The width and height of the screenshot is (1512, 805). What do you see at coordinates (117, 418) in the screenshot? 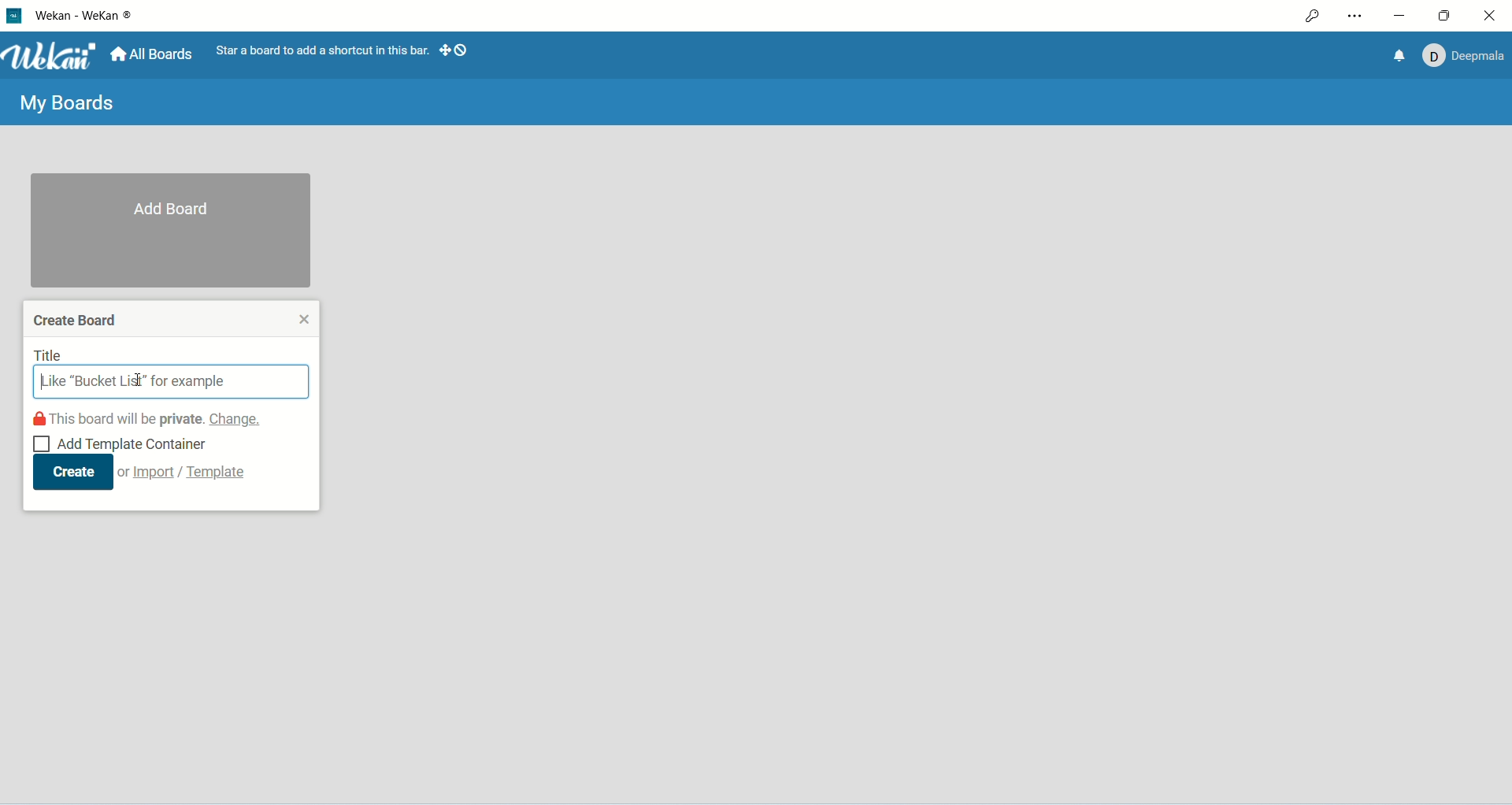
I see `this board will be private` at bounding box center [117, 418].